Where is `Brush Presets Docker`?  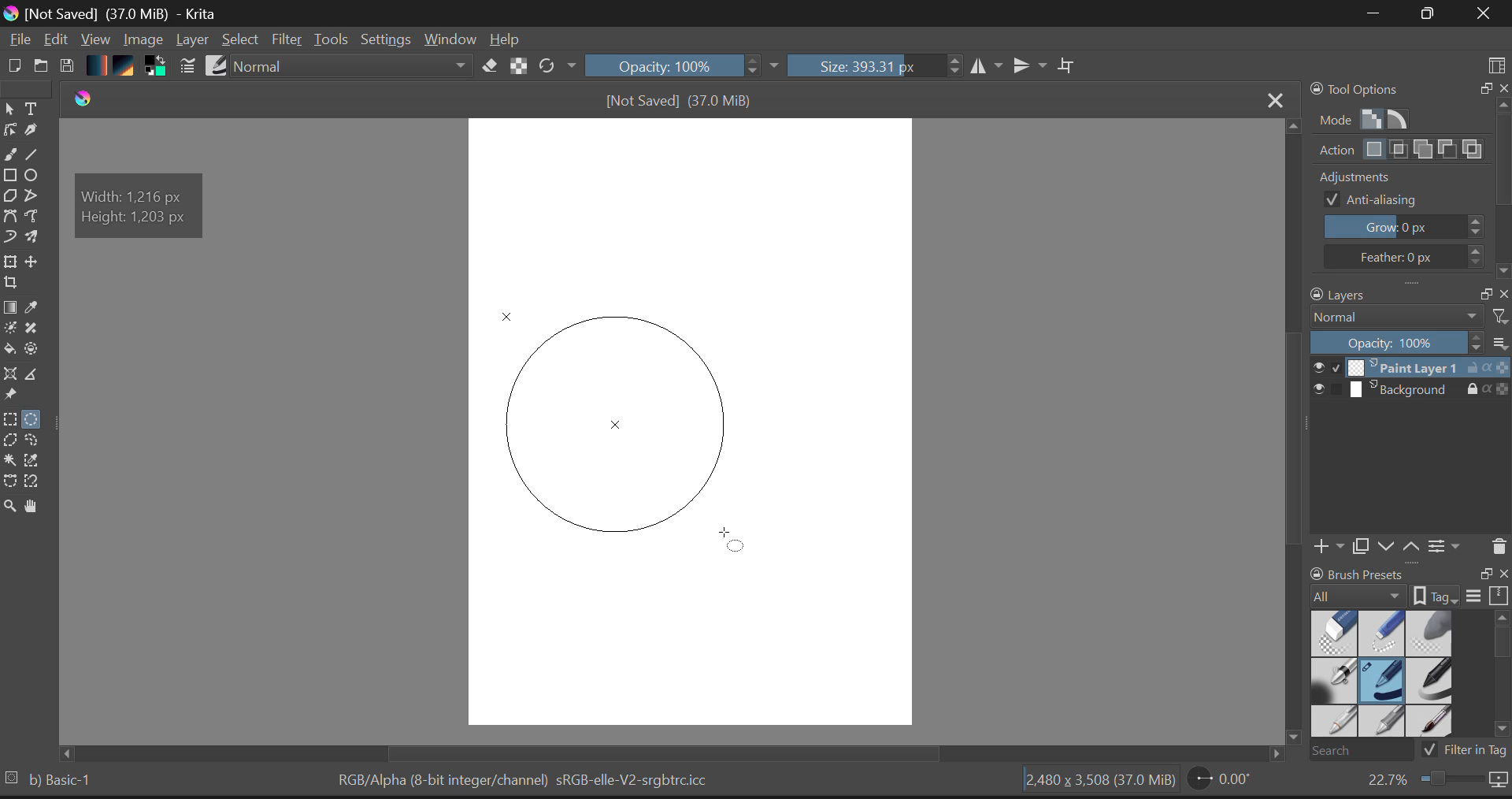 Brush Presets Docker is located at coordinates (1406, 662).